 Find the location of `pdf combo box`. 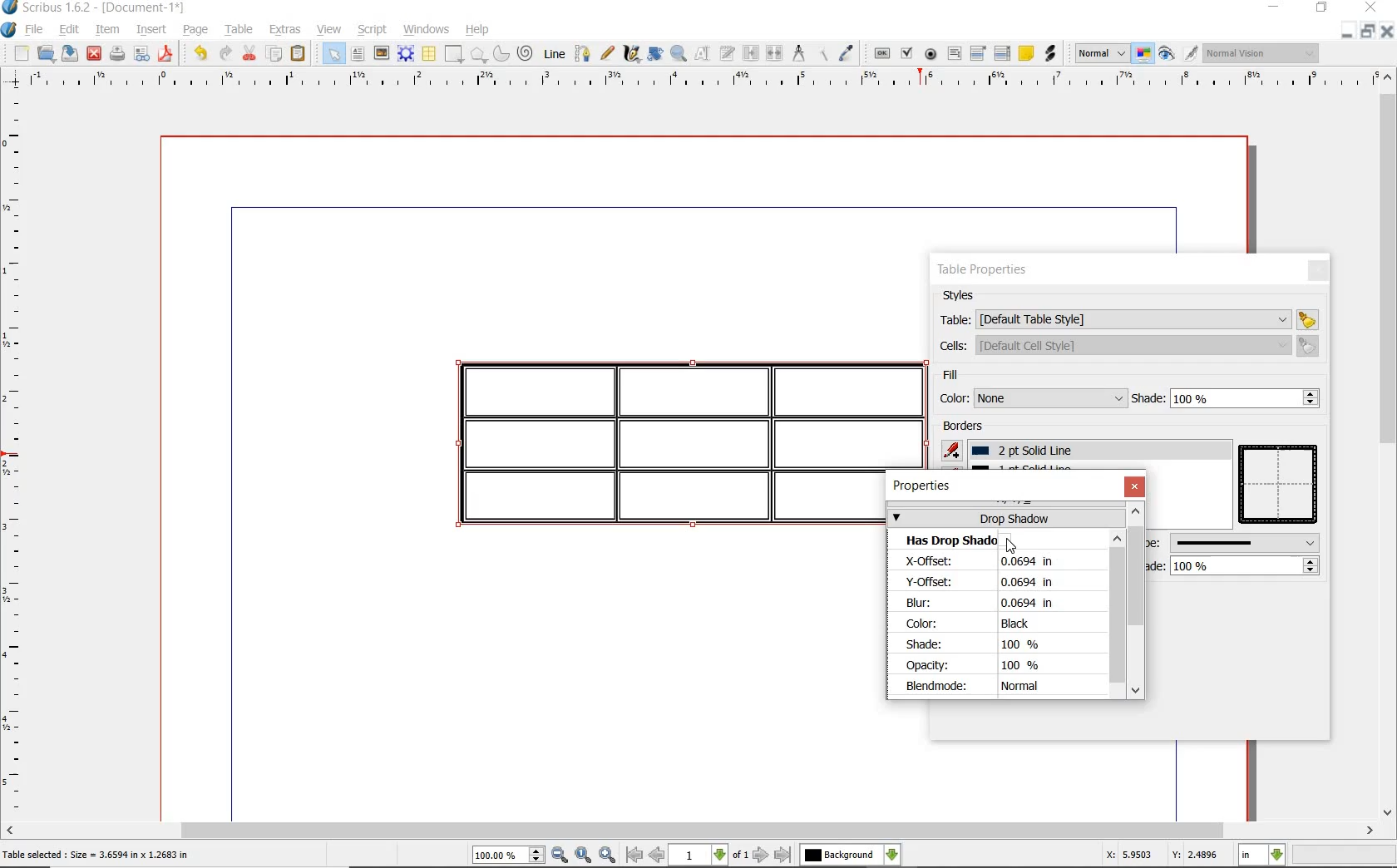

pdf combo box is located at coordinates (978, 54).